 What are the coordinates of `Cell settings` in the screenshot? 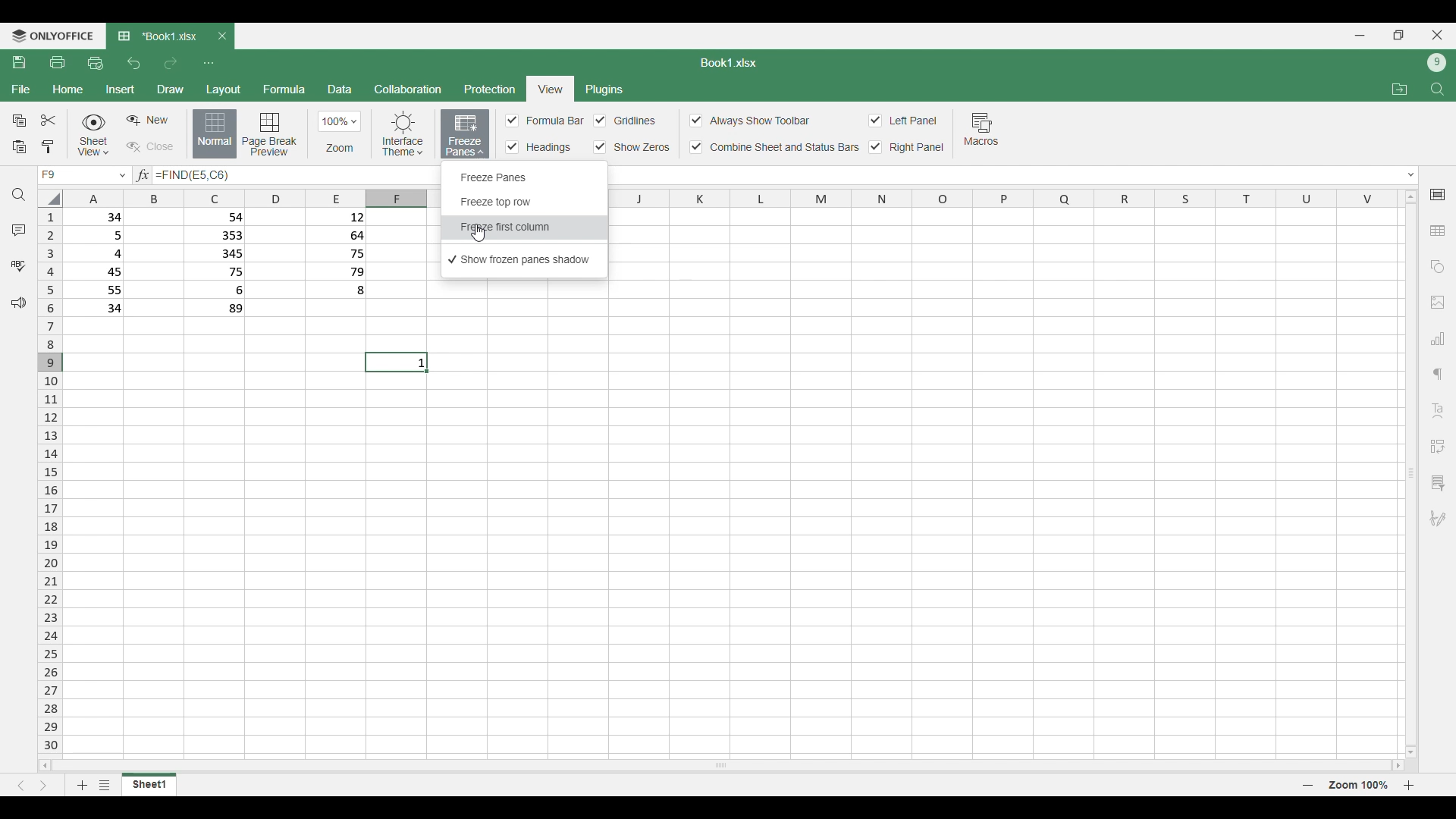 It's located at (1438, 194).